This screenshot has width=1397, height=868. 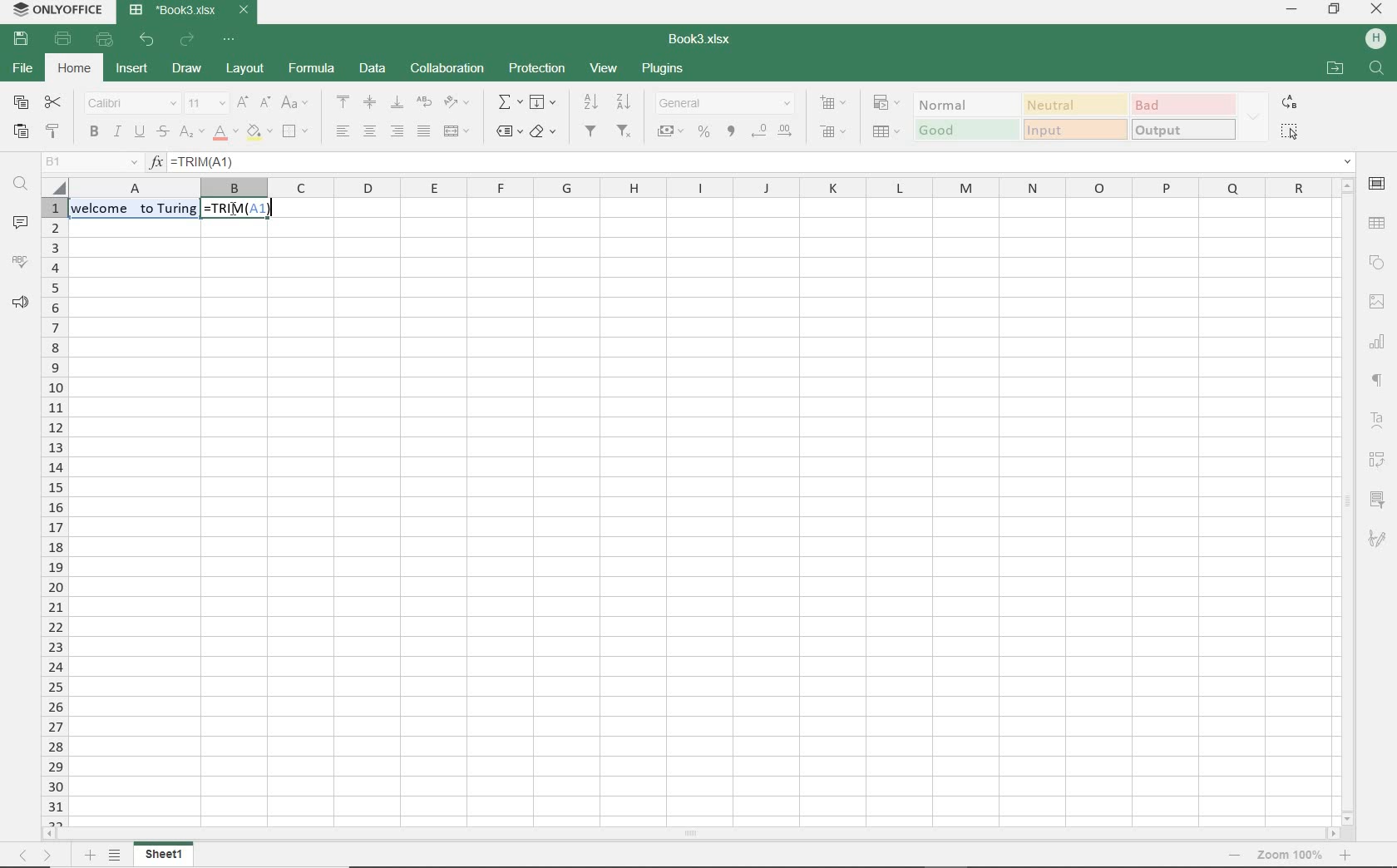 I want to click on filters, so click(x=591, y=131).